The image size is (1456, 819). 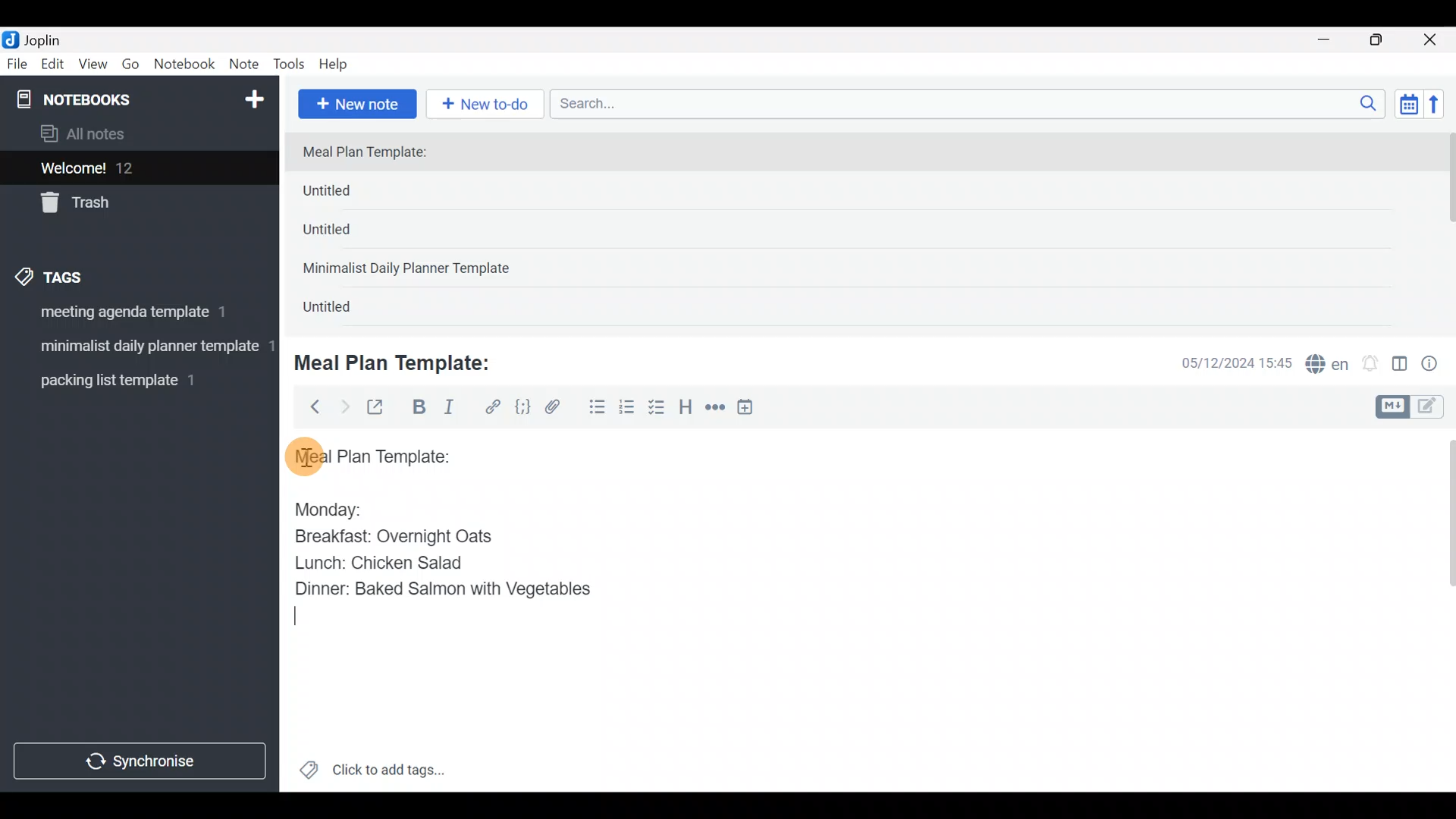 What do you see at coordinates (53, 67) in the screenshot?
I see `Edit` at bounding box center [53, 67].